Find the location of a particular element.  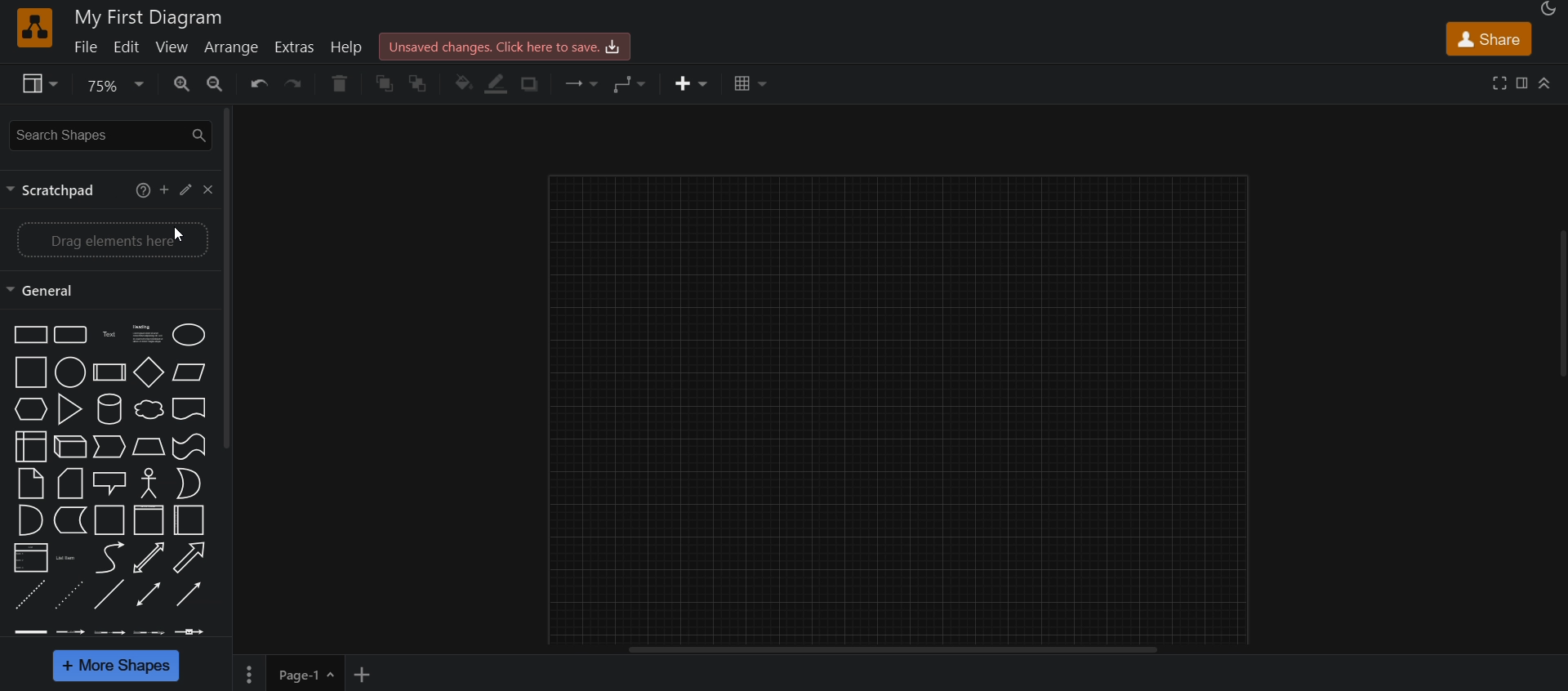

horizontal scroll bar is located at coordinates (899, 651).